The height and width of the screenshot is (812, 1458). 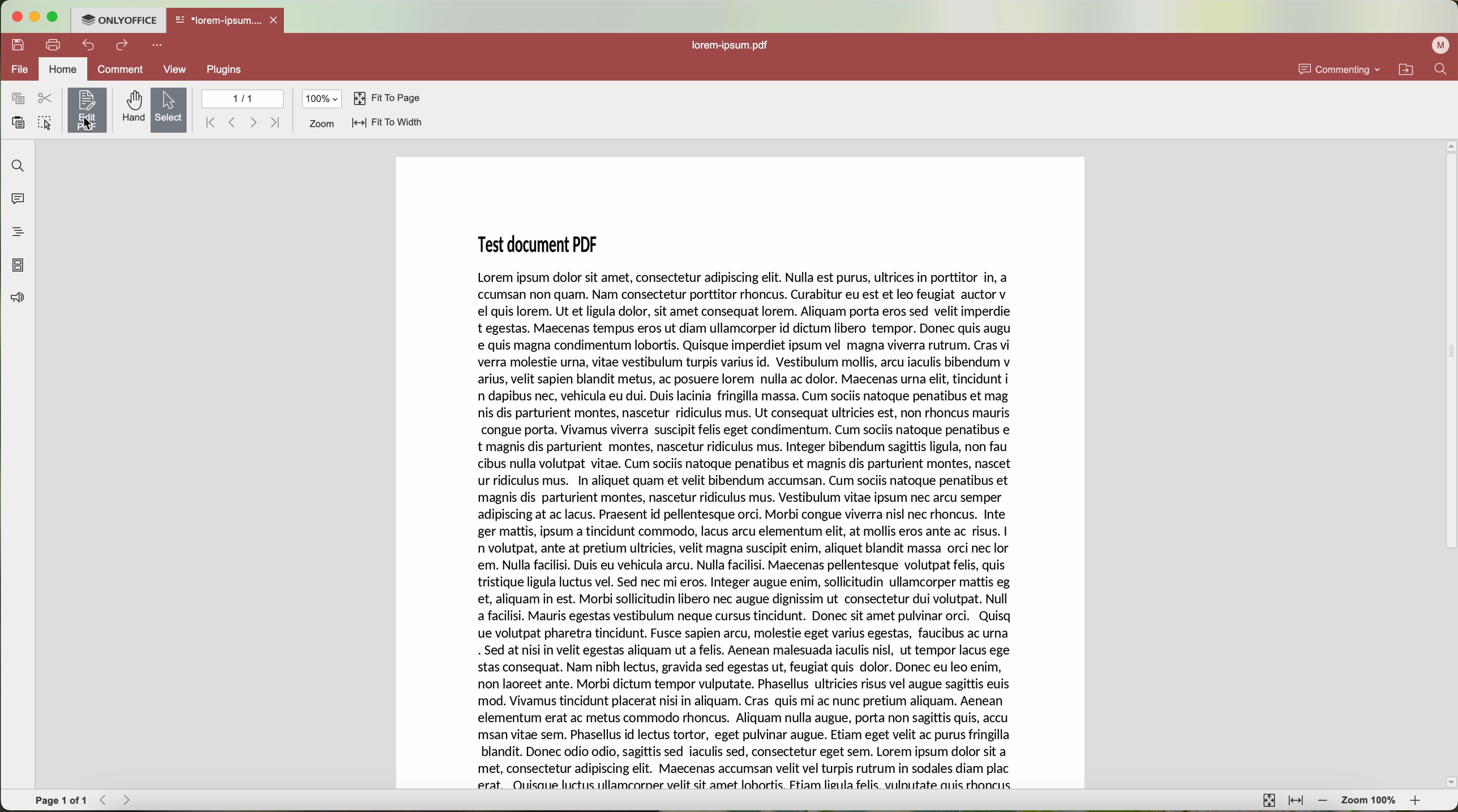 I want to click on copy, so click(x=18, y=98).